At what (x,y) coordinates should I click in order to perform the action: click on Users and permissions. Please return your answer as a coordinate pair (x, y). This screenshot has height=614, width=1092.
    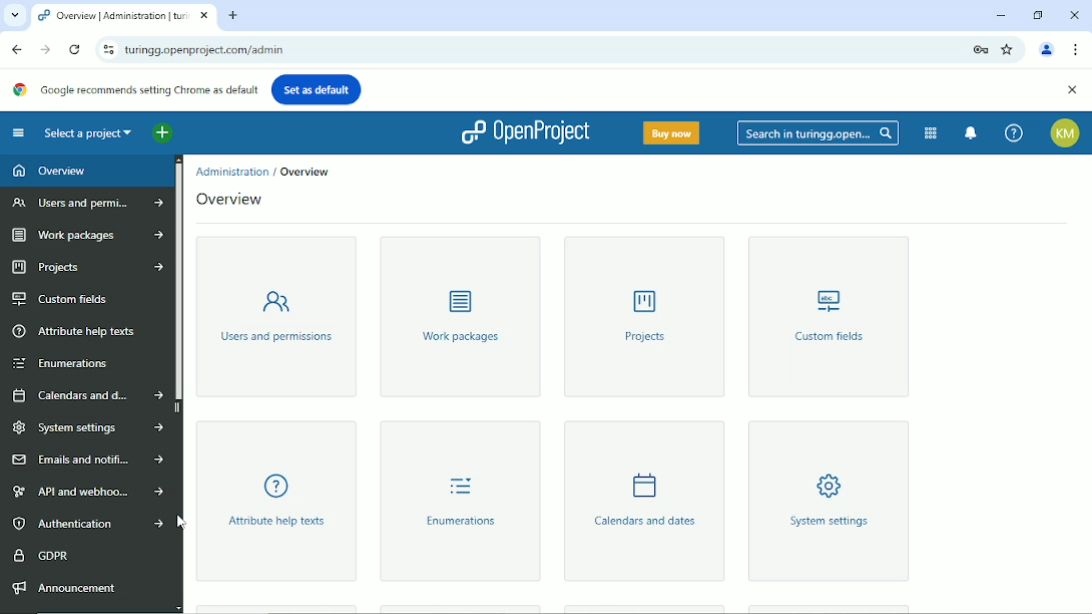
    Looking at the image, I should click on (275, 314).